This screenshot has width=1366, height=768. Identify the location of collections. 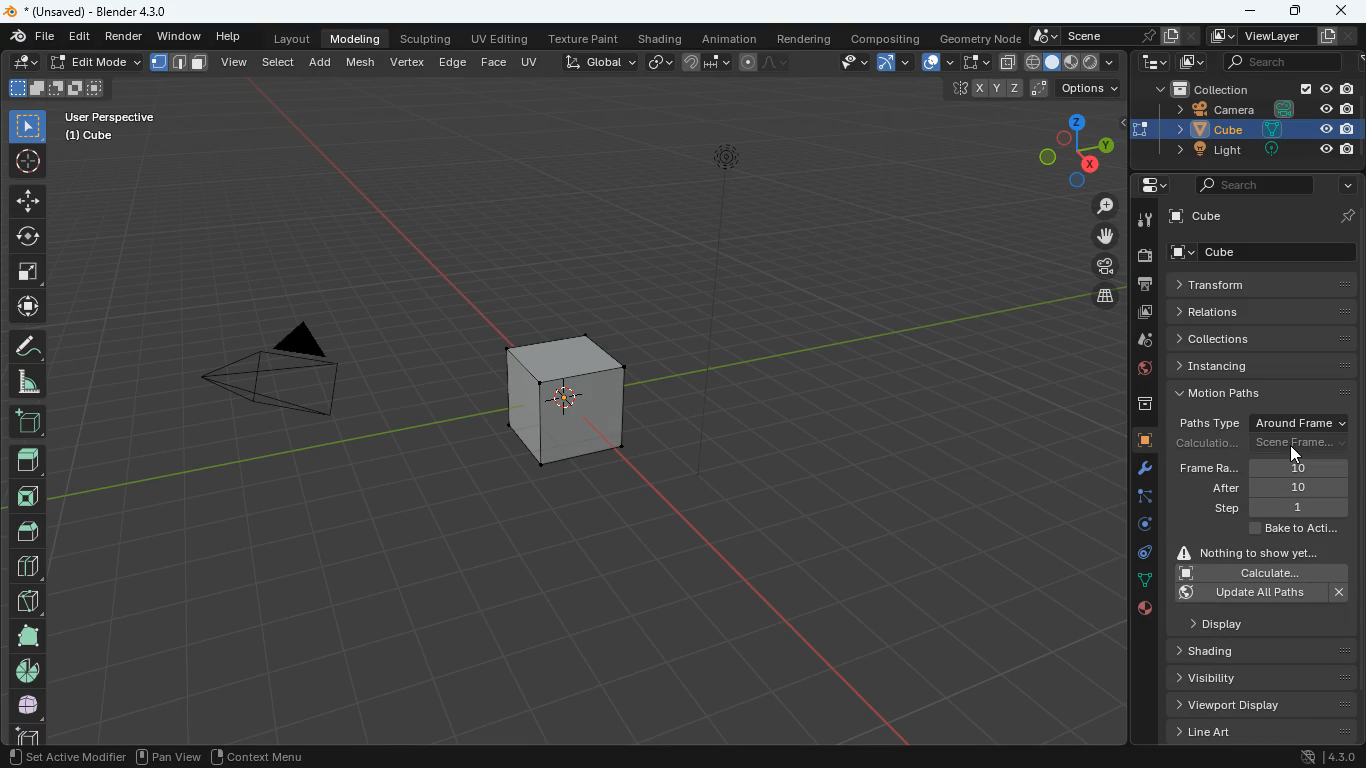
(1266, 338).